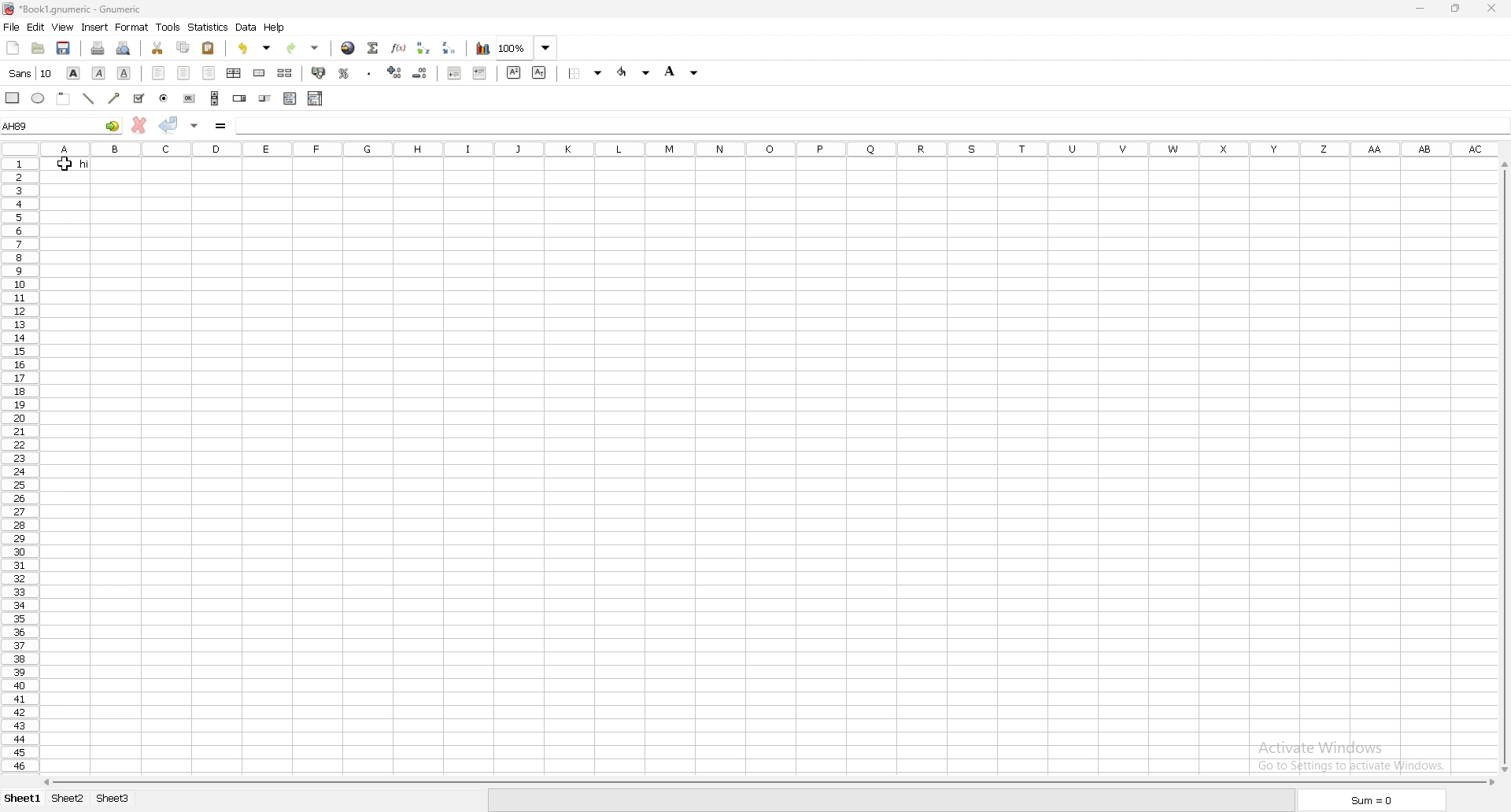 The image size is (1511, 812). I want to click on combo box, so click(316, 98).